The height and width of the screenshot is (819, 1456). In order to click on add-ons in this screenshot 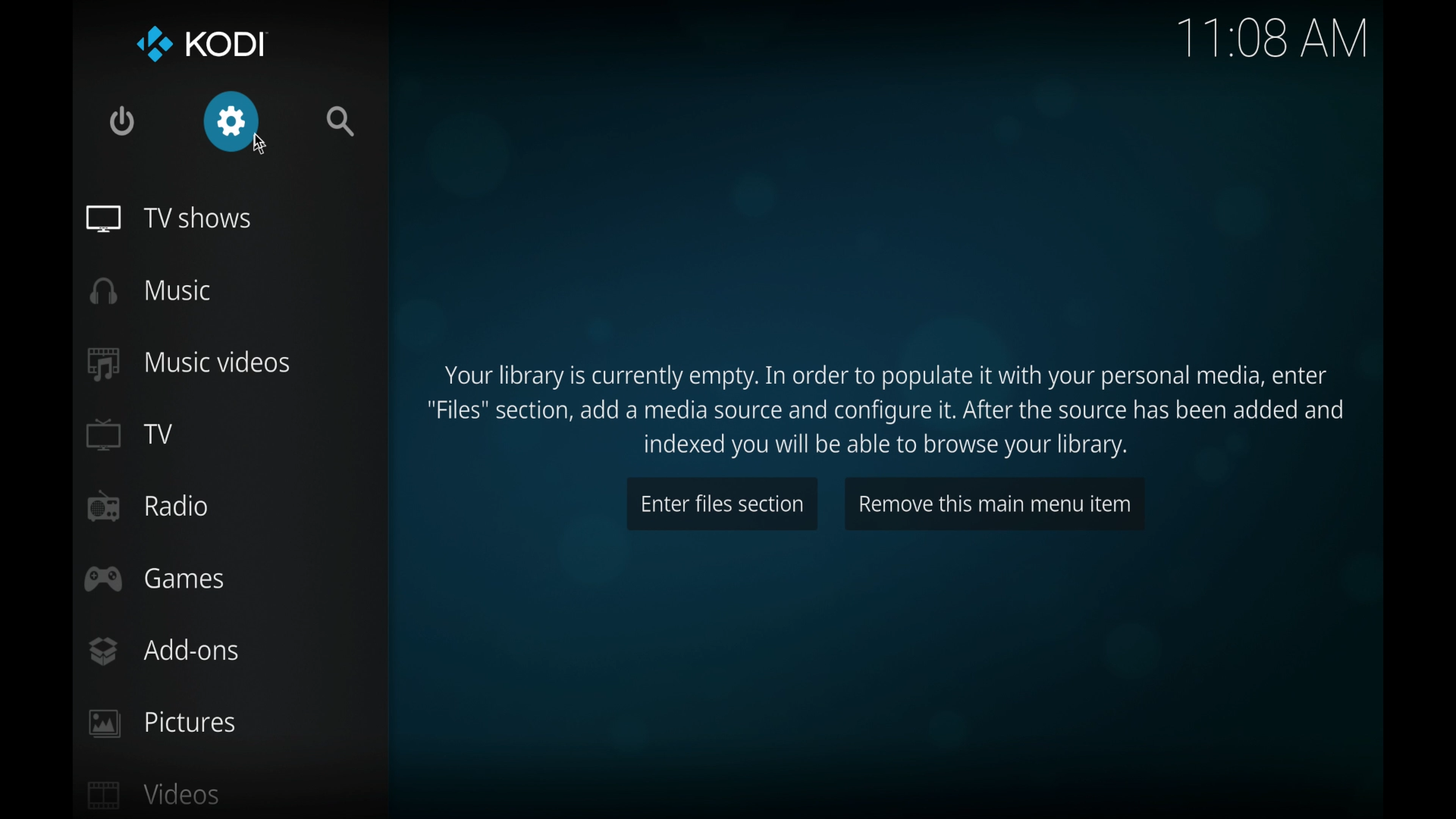, I will do `click(170, 651)`.